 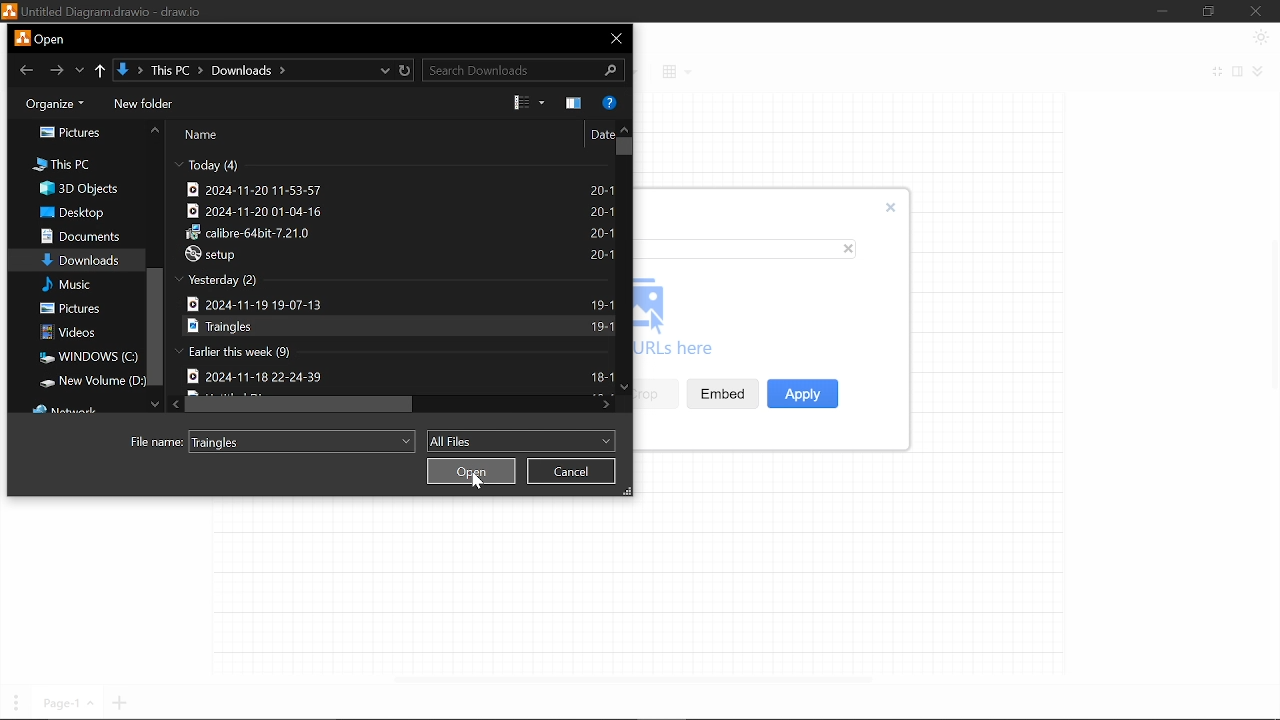 What do you see at coordinates (155, 403) in the screenshot?
I see `Move down in folders` at bounding box center [155, 403].